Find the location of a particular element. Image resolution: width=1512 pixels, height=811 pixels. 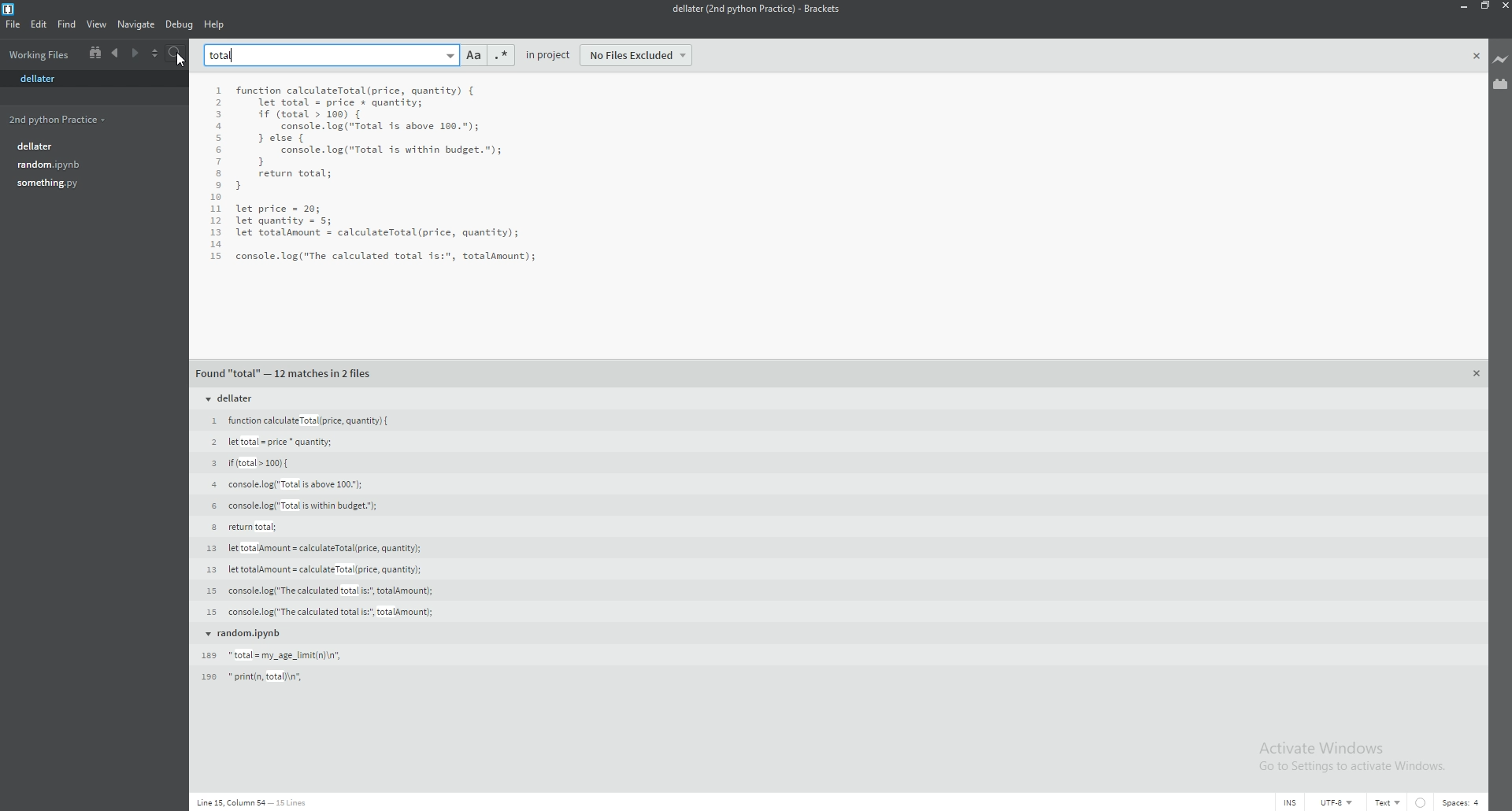

bracket logo is located at coordinates (10, 9).